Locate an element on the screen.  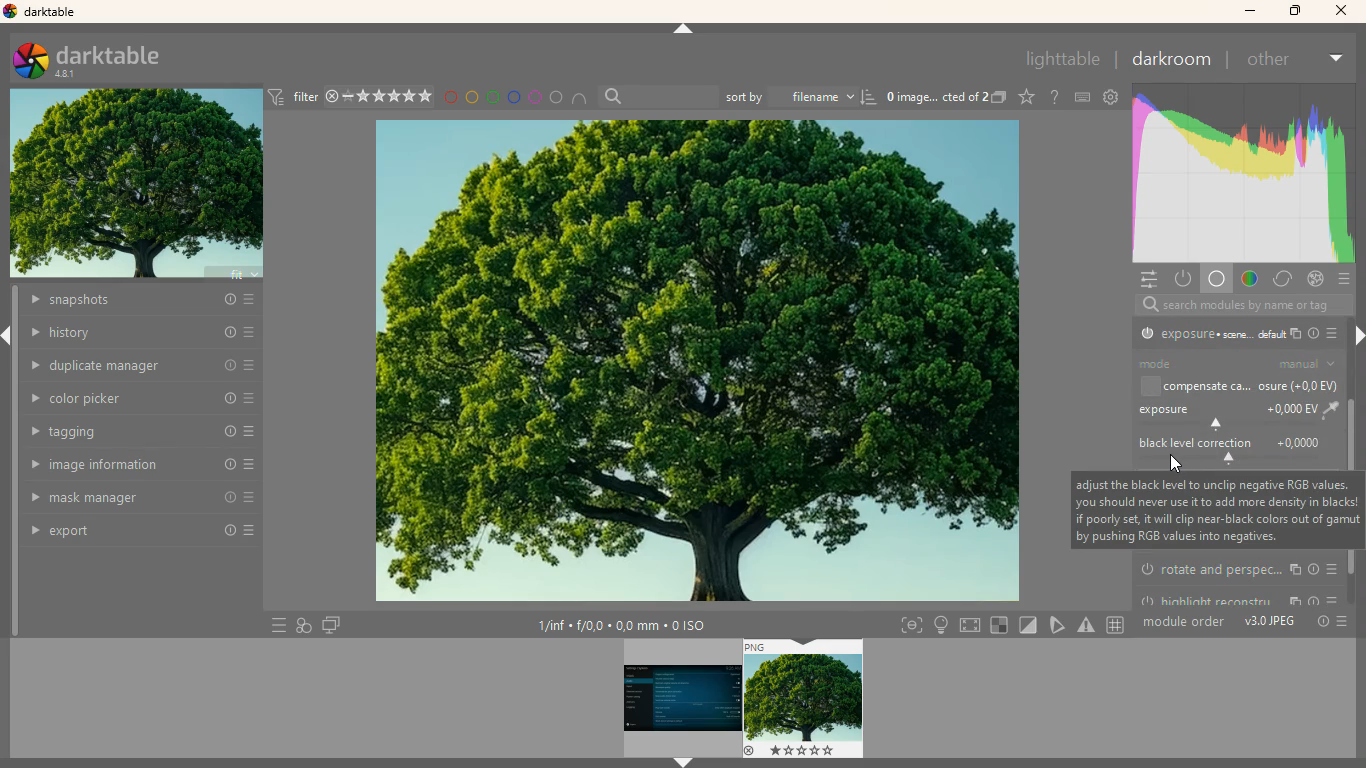
blue circle is located at coordinates (513, 96).